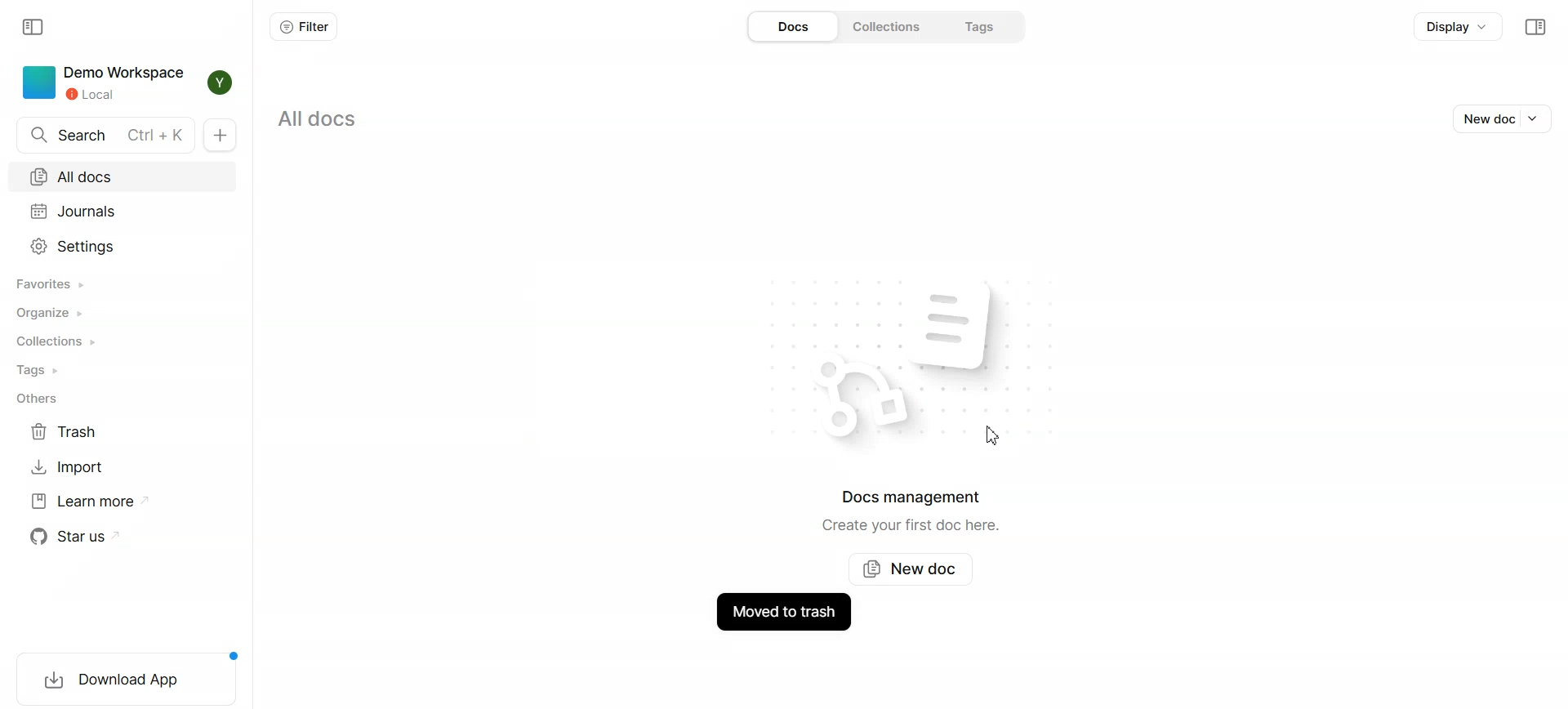  What do you see at coordinates (219, 83) in the screenshot?
I see `Profile` at bounding box center [219, 83].